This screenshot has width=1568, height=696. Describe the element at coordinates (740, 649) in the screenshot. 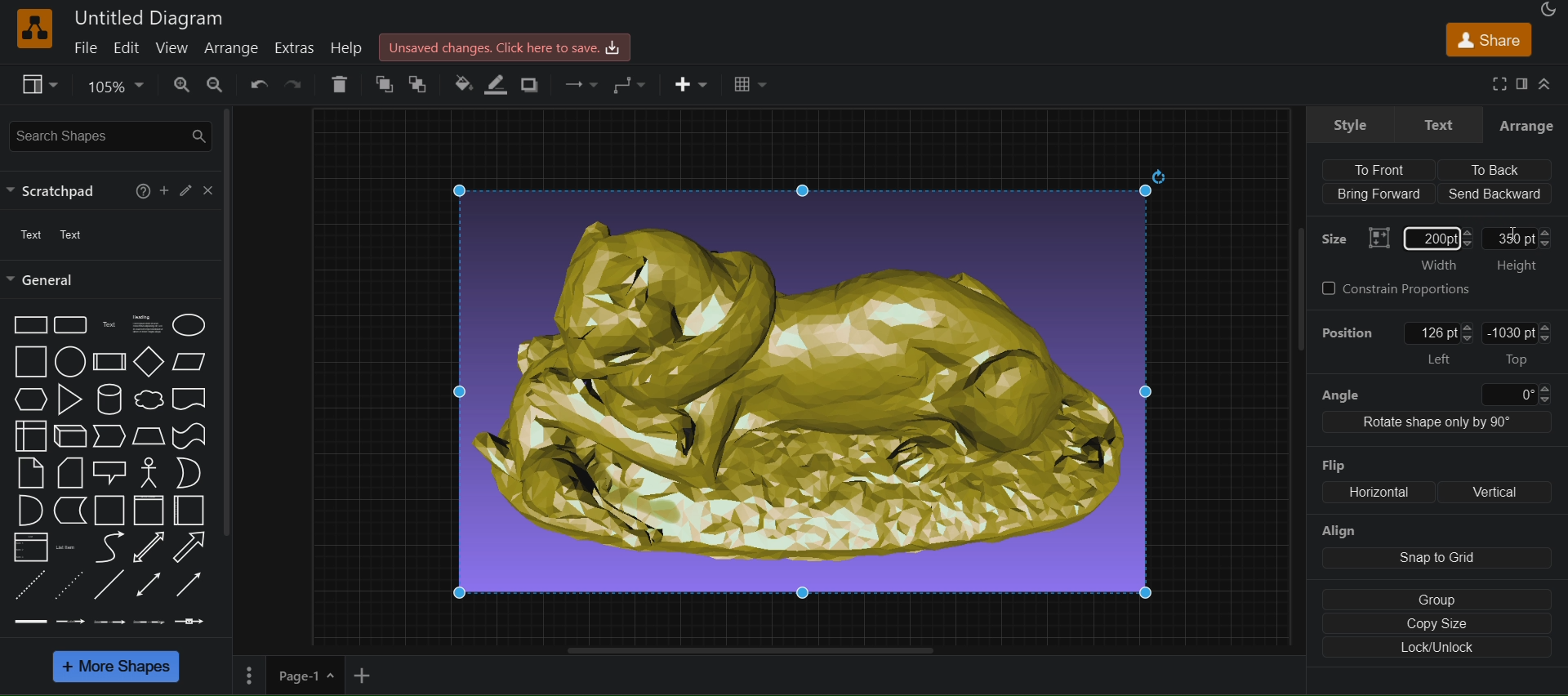

I see `horizontal scroll bar` at that location.